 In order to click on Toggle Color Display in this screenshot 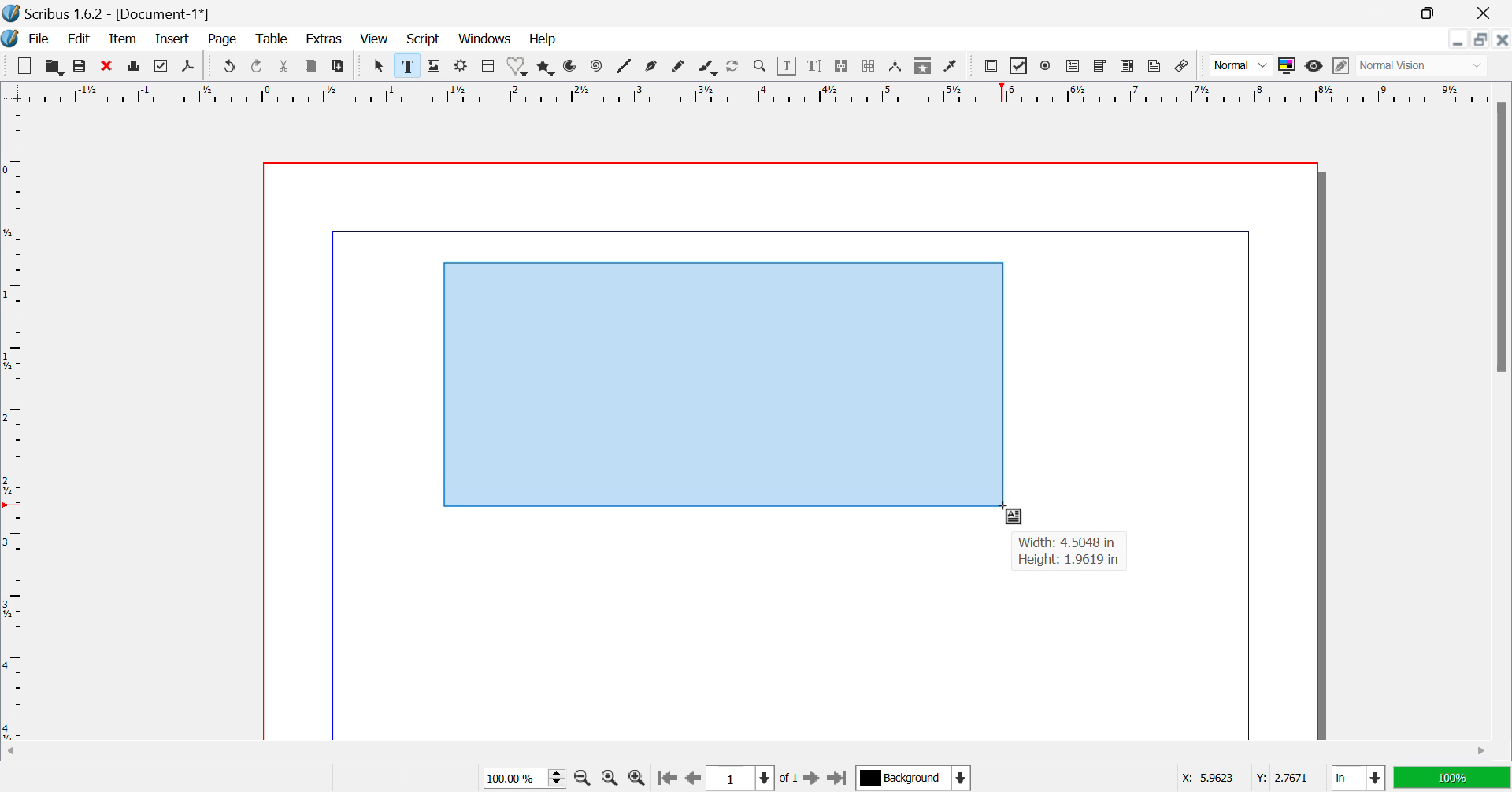, I will do `click(1289, 67)`.